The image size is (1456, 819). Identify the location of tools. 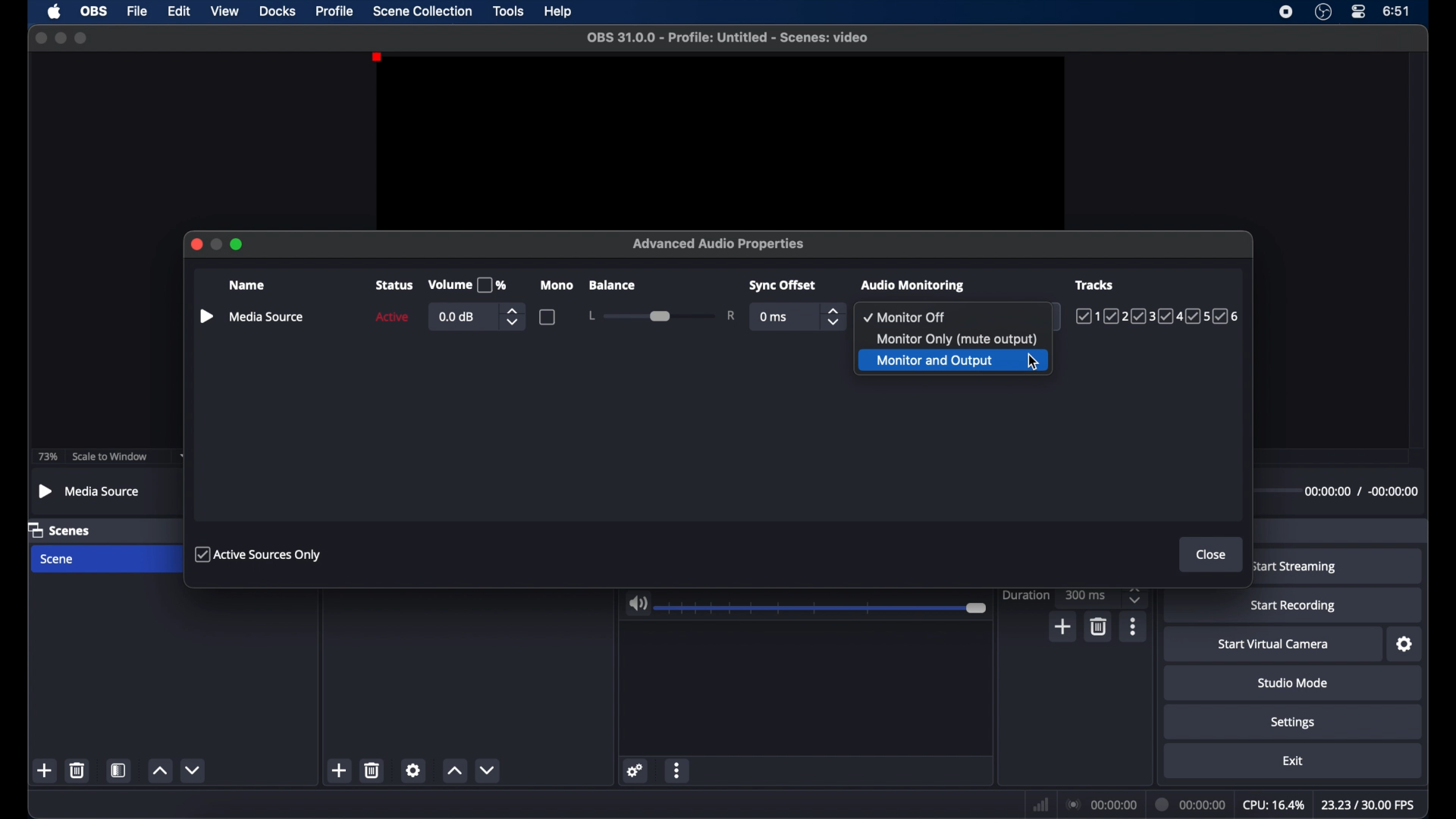
(509, 11).